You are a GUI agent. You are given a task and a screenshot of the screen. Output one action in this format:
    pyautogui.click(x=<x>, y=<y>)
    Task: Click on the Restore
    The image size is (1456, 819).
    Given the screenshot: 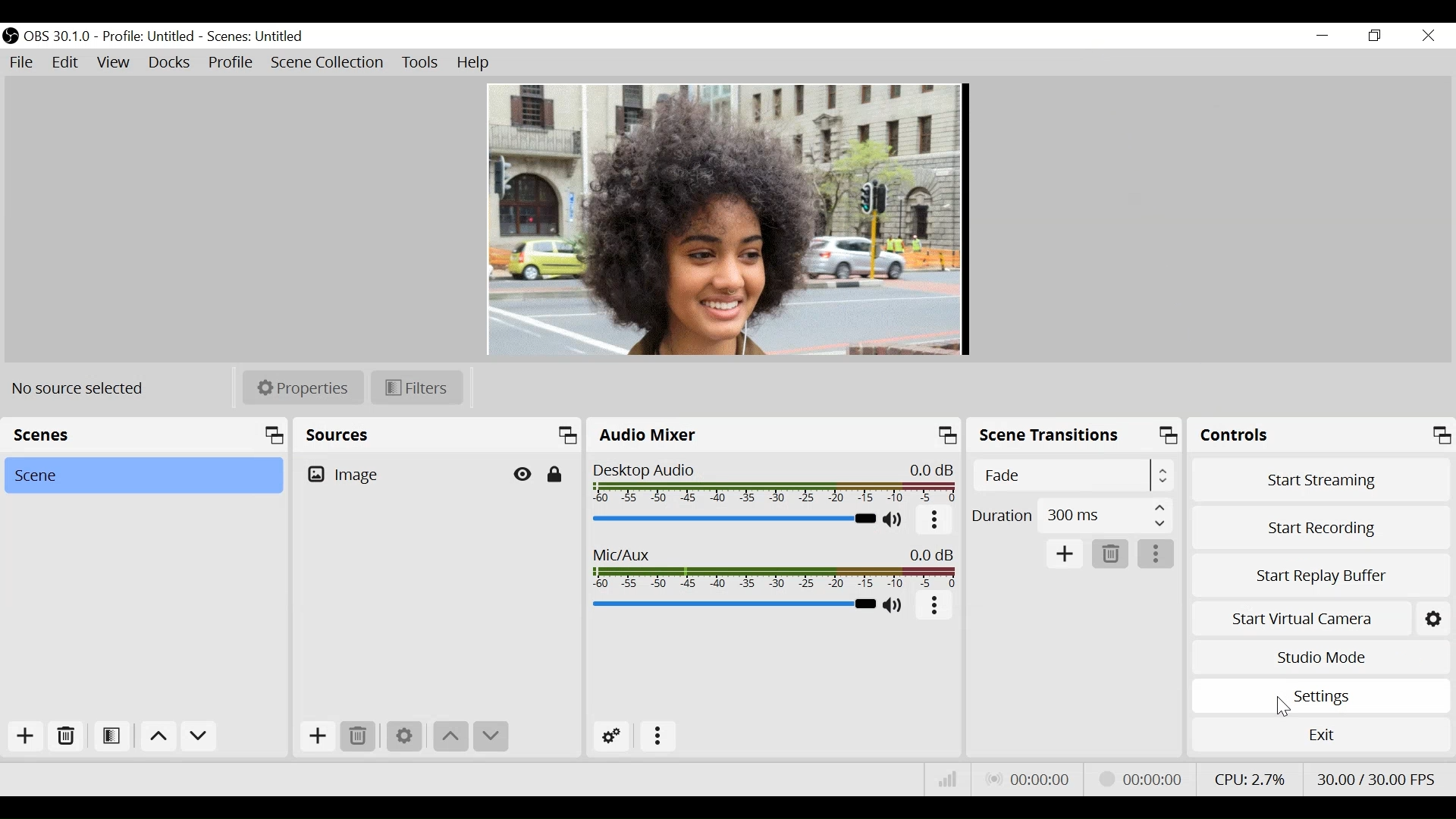 What is the action you would take?
    pyautogui.click(x=1376, y=36)
    